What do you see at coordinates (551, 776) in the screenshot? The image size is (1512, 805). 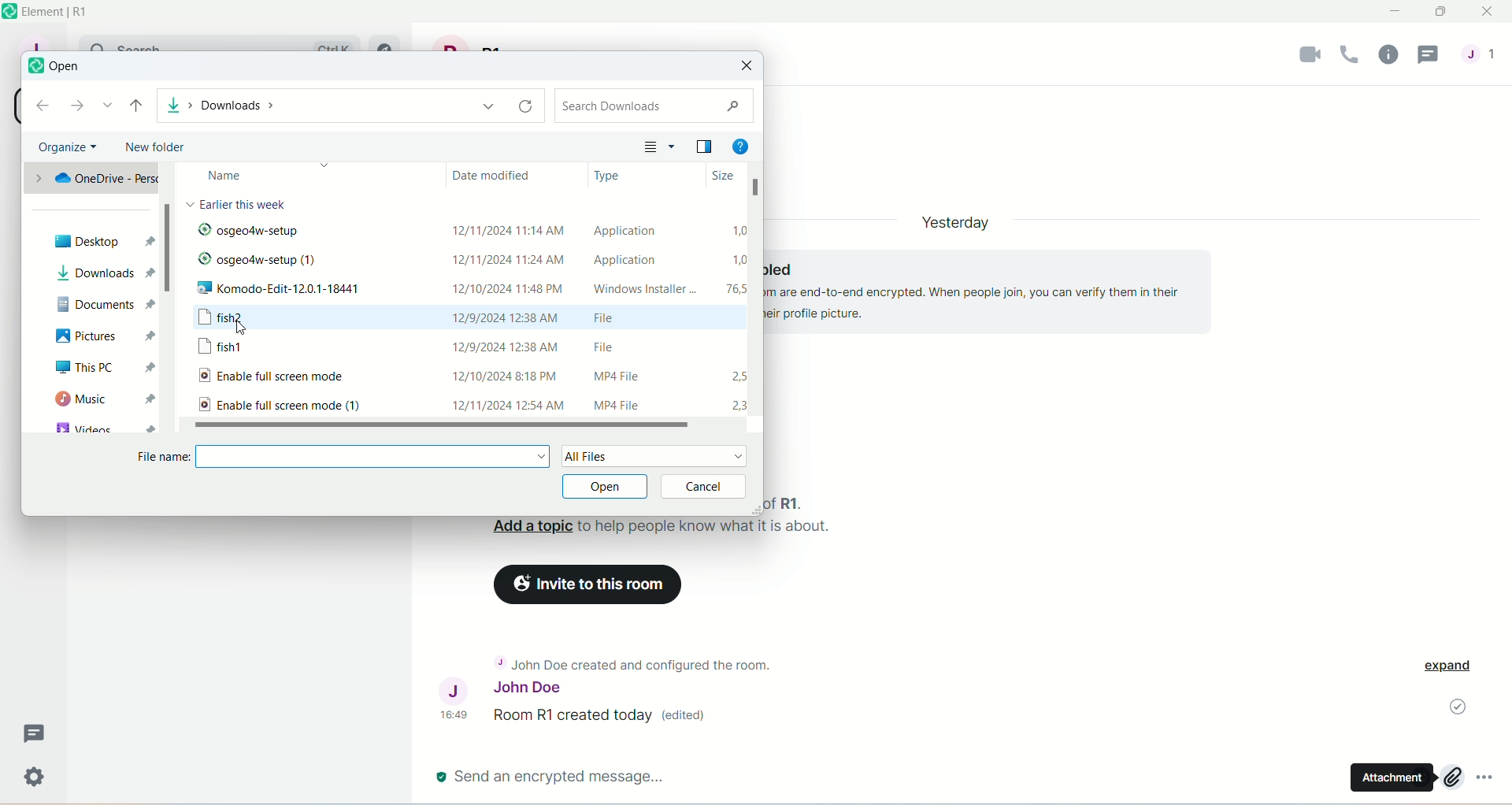 I see `send an encrypted message..` at bounding box center [551, 776].